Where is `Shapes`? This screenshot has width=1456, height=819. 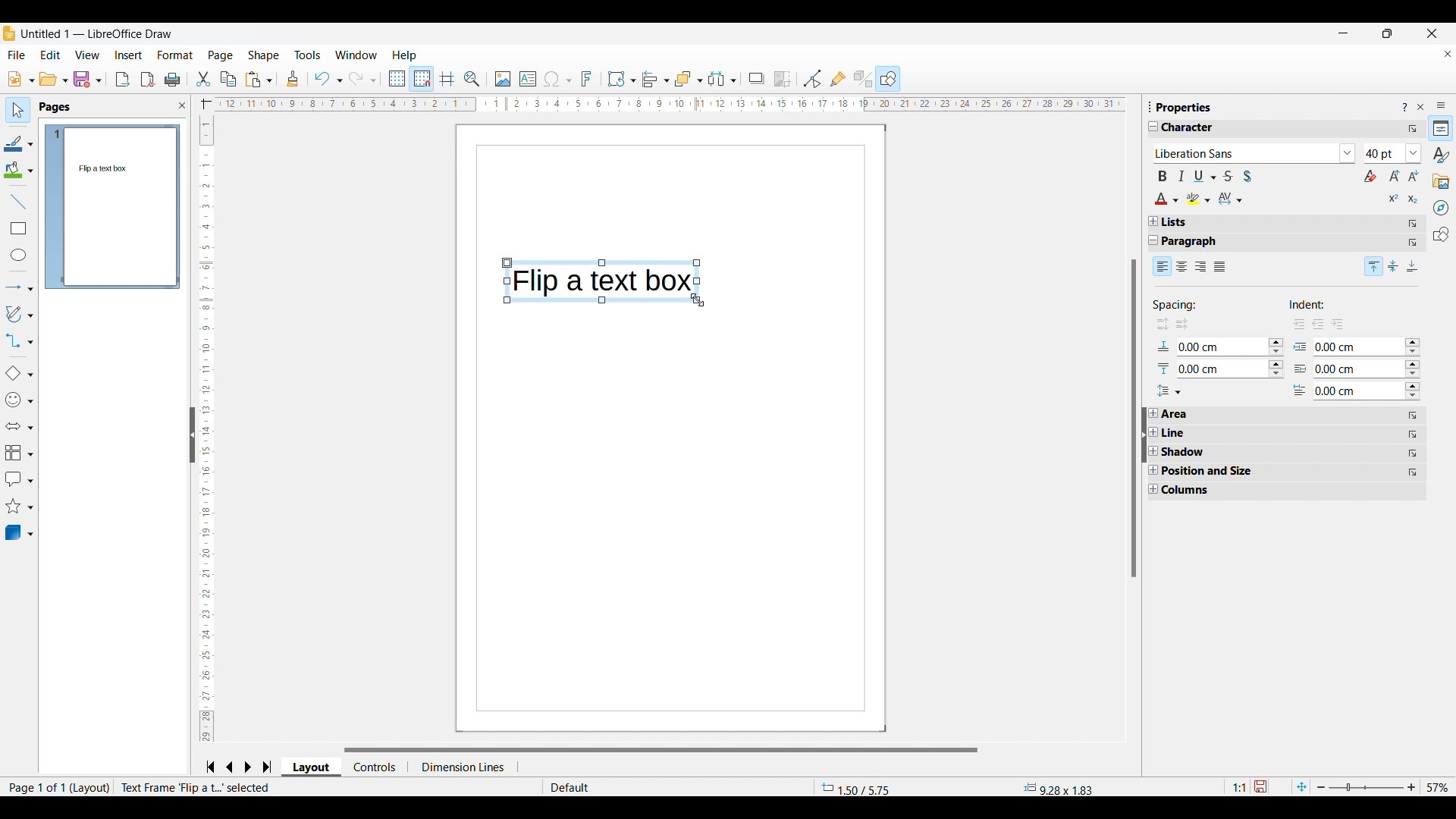 Shapes is located at coordinates (1442, 234).